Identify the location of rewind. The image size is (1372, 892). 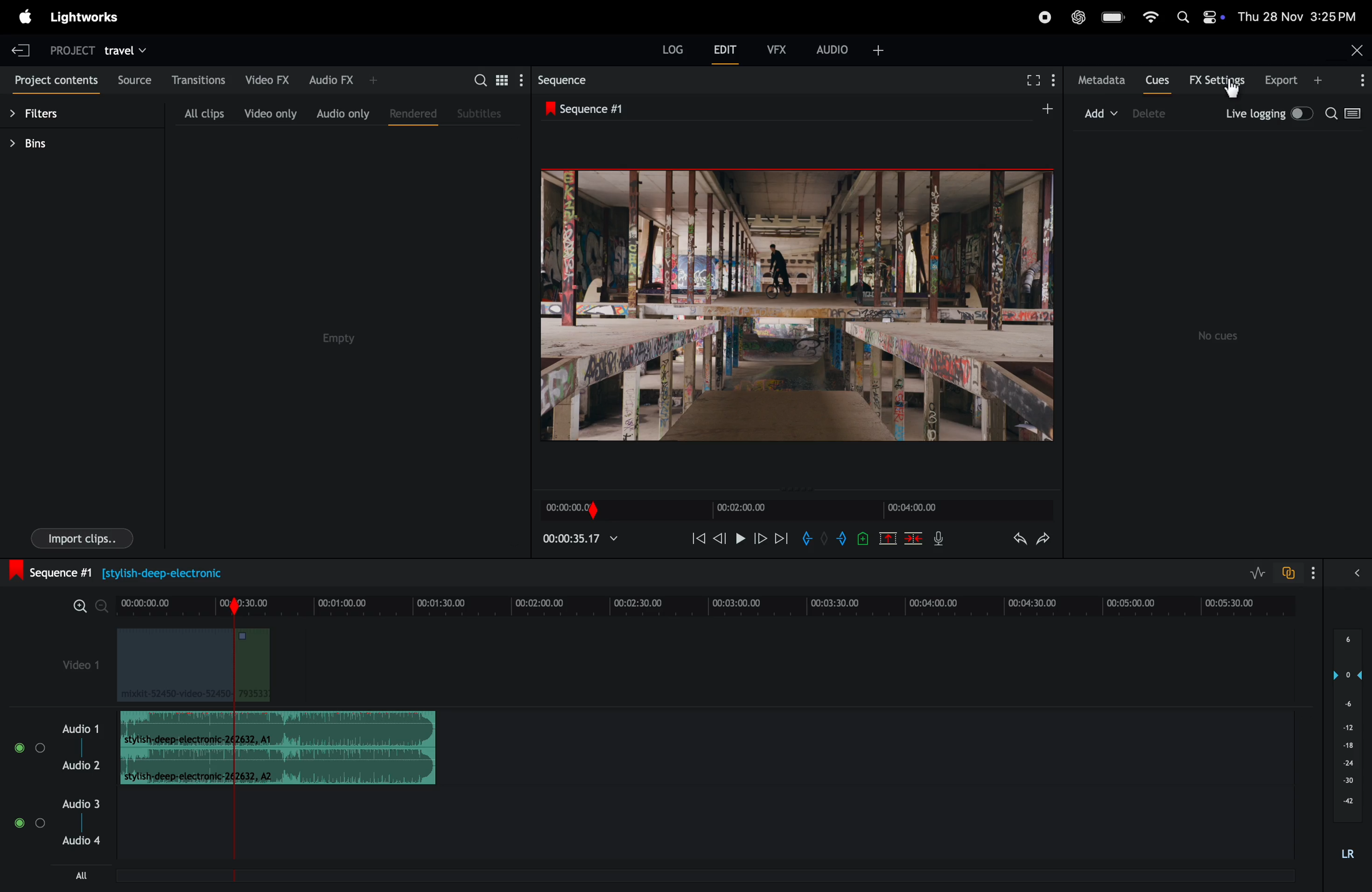
(698, 538).